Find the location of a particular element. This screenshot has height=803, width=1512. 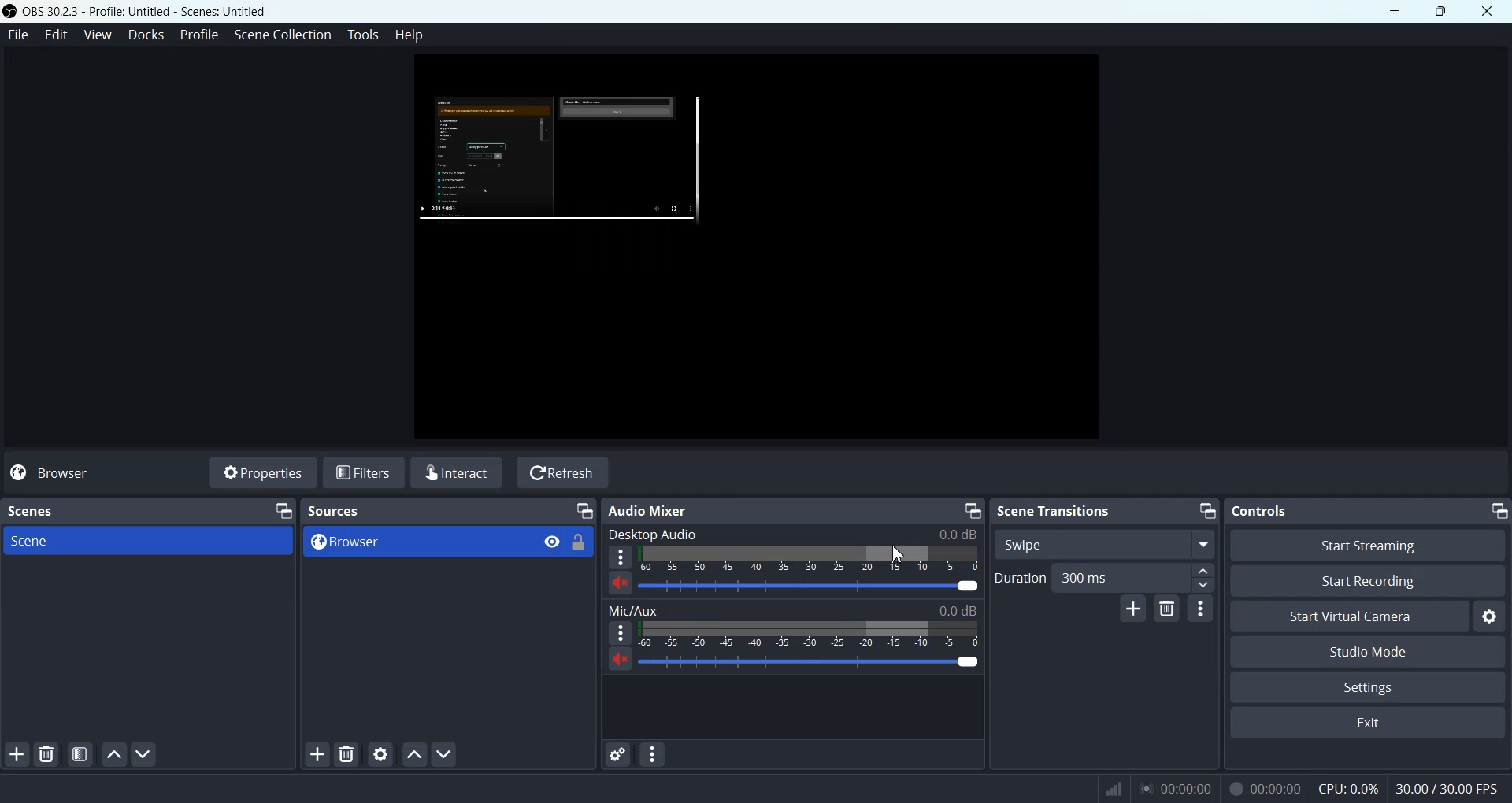

Remove Selected Scene is located at coordinates (49, 754).